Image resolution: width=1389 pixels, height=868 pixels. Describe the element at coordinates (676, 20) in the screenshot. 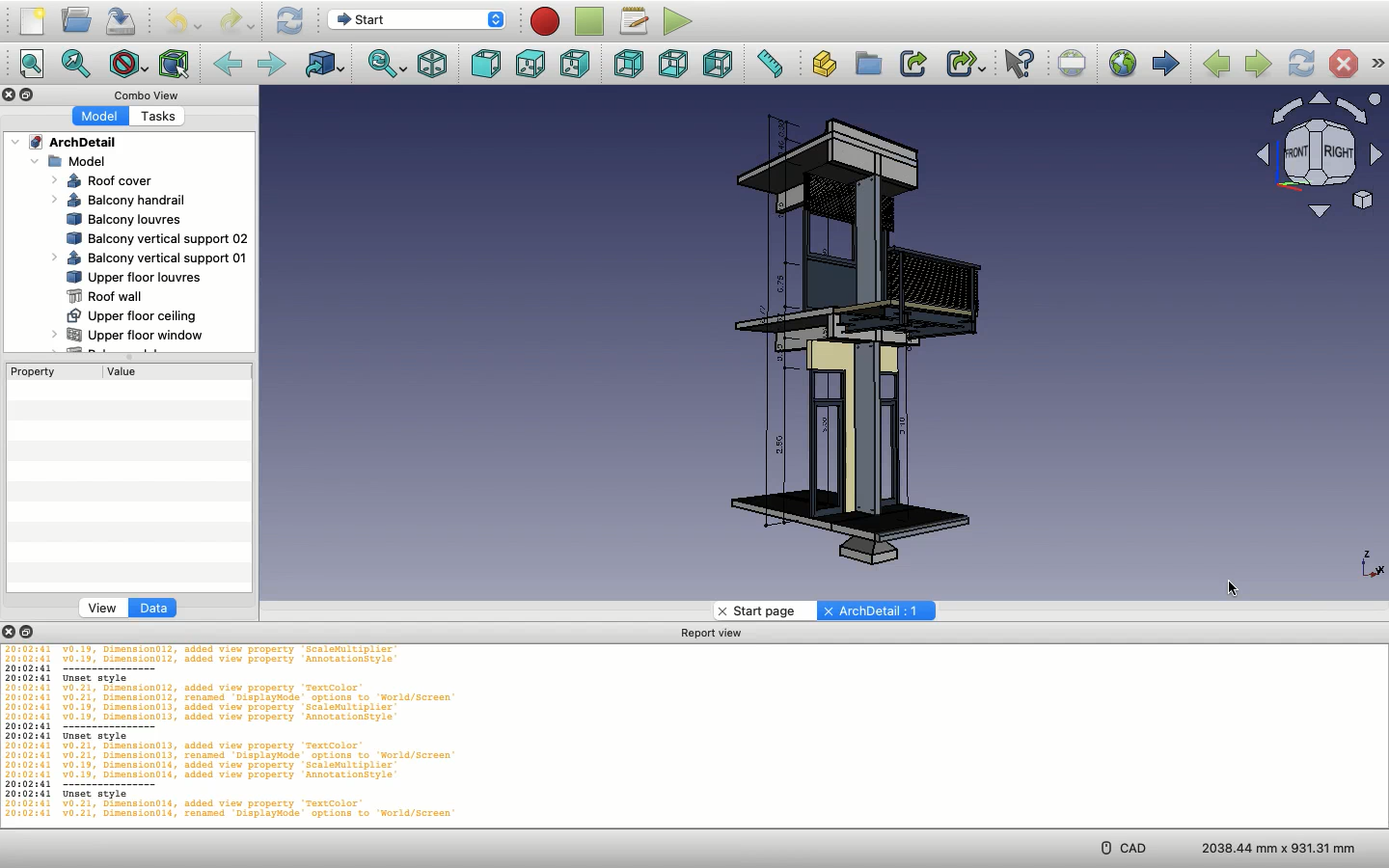

I see `Execute macro` at that location.